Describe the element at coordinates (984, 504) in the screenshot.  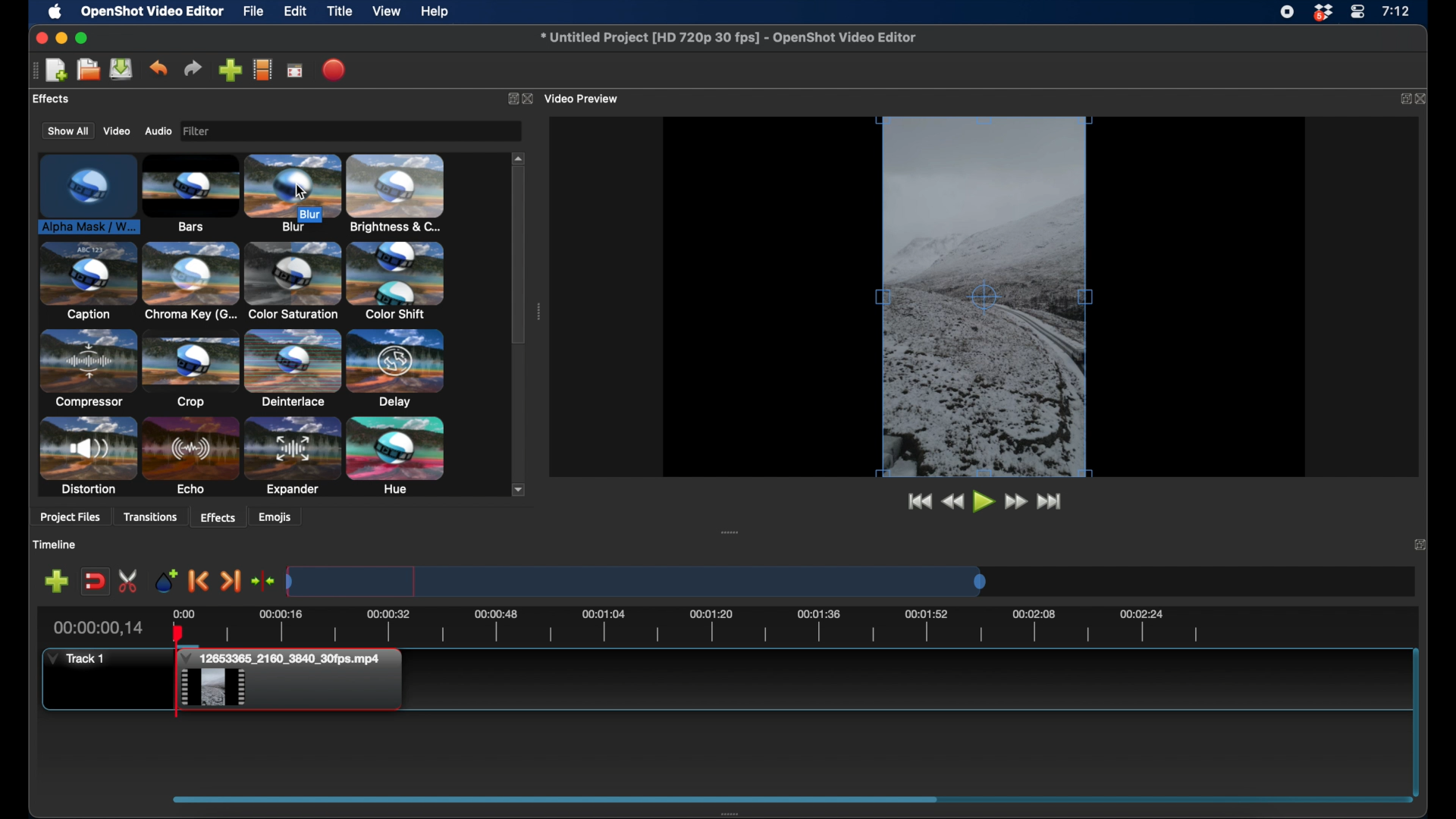
I see `play` at that location.